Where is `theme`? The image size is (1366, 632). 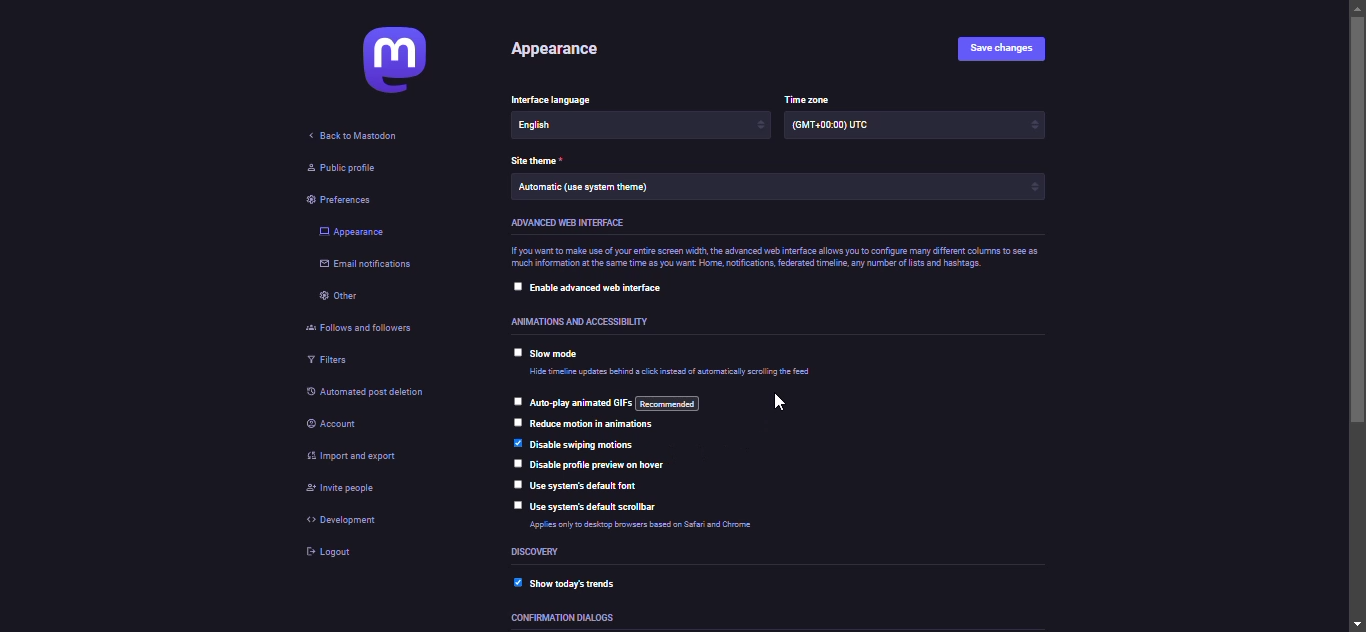
theme is located at coordinates (536, 159).